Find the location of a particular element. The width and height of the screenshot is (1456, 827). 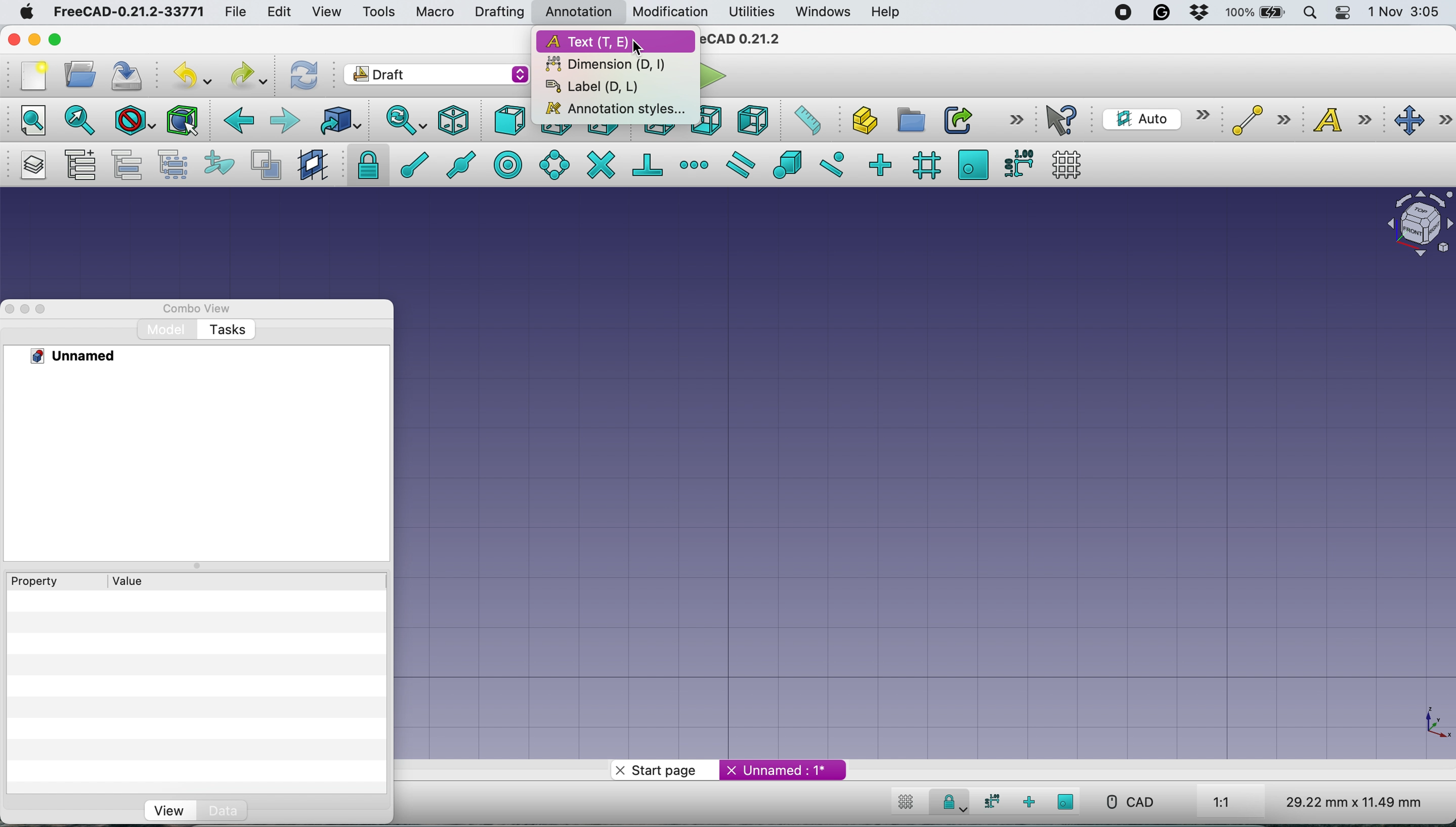

battery is located at coordinates (1254, 12).